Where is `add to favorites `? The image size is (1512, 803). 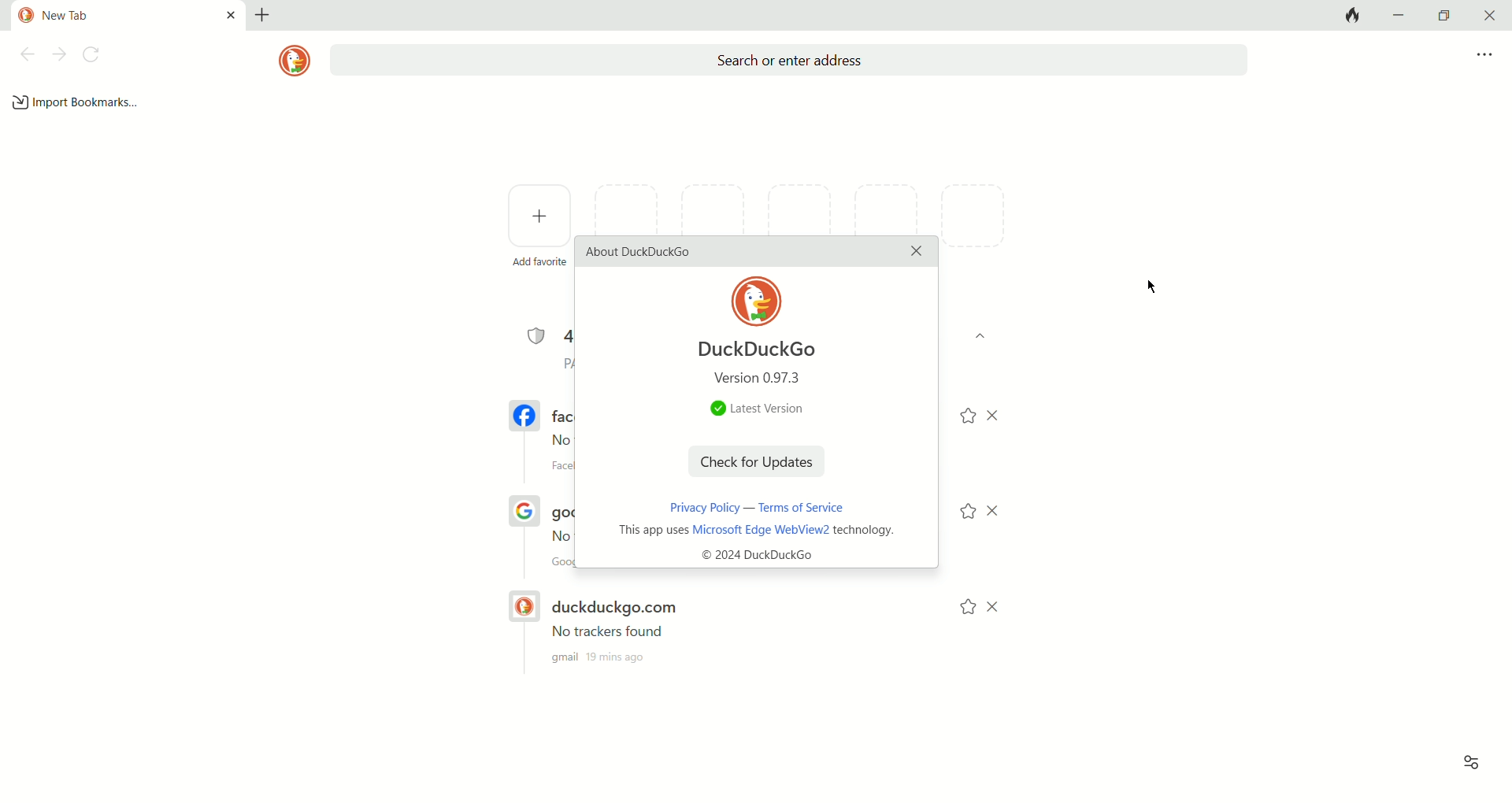
add to favorites  is located at coordinates (958, 609).